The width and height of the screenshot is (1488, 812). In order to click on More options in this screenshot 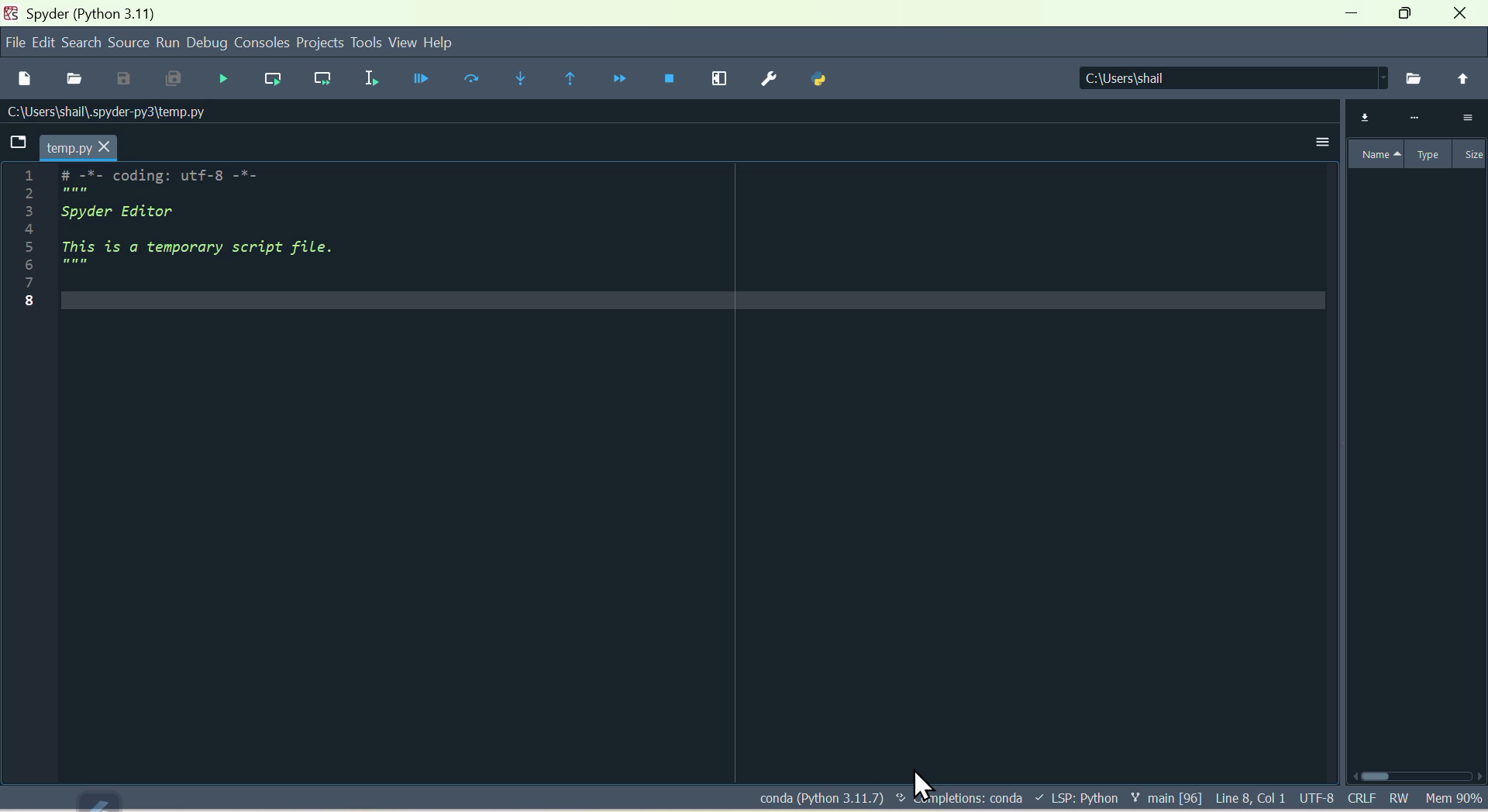, I will do `click(1311, 146)`.